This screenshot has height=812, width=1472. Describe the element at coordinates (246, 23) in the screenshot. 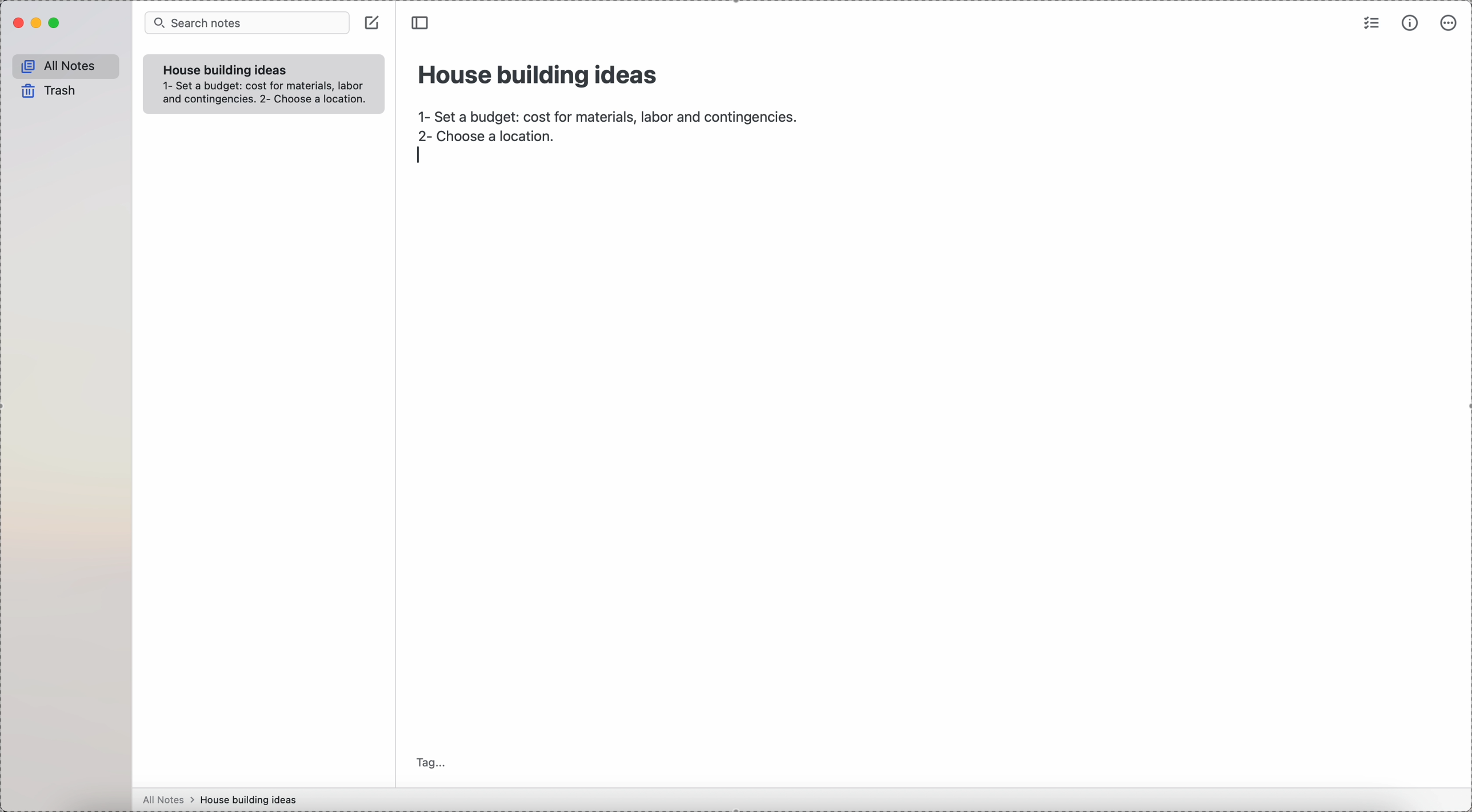

I see `search bar` at that location.